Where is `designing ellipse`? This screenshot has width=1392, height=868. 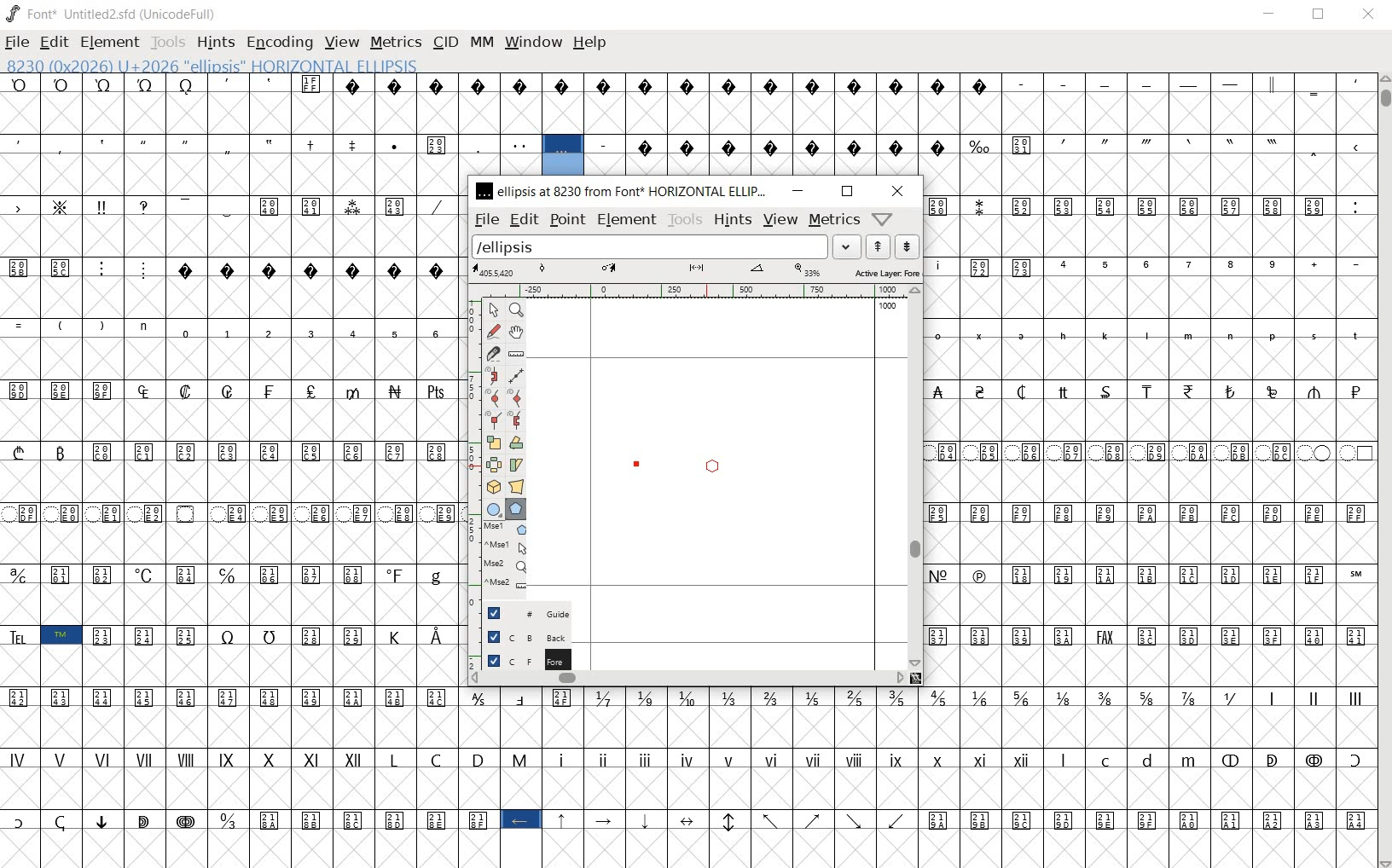 designing ellipse is located at coordinates (684, 462).